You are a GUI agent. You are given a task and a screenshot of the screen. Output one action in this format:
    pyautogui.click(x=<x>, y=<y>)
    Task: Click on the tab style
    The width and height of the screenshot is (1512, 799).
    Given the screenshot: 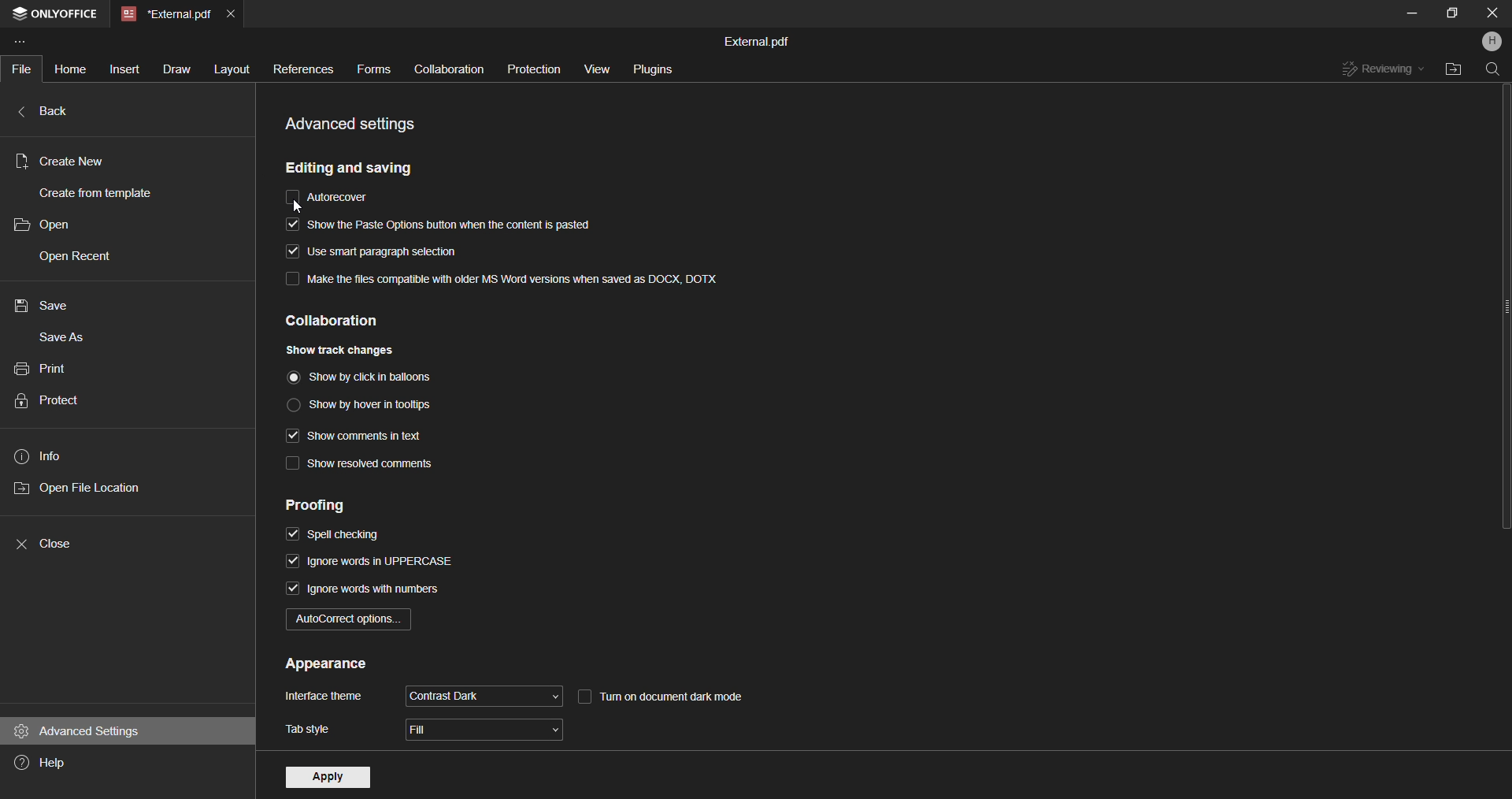 What is the action you would take?
    pyautogui.click(x=308, y=730)
    